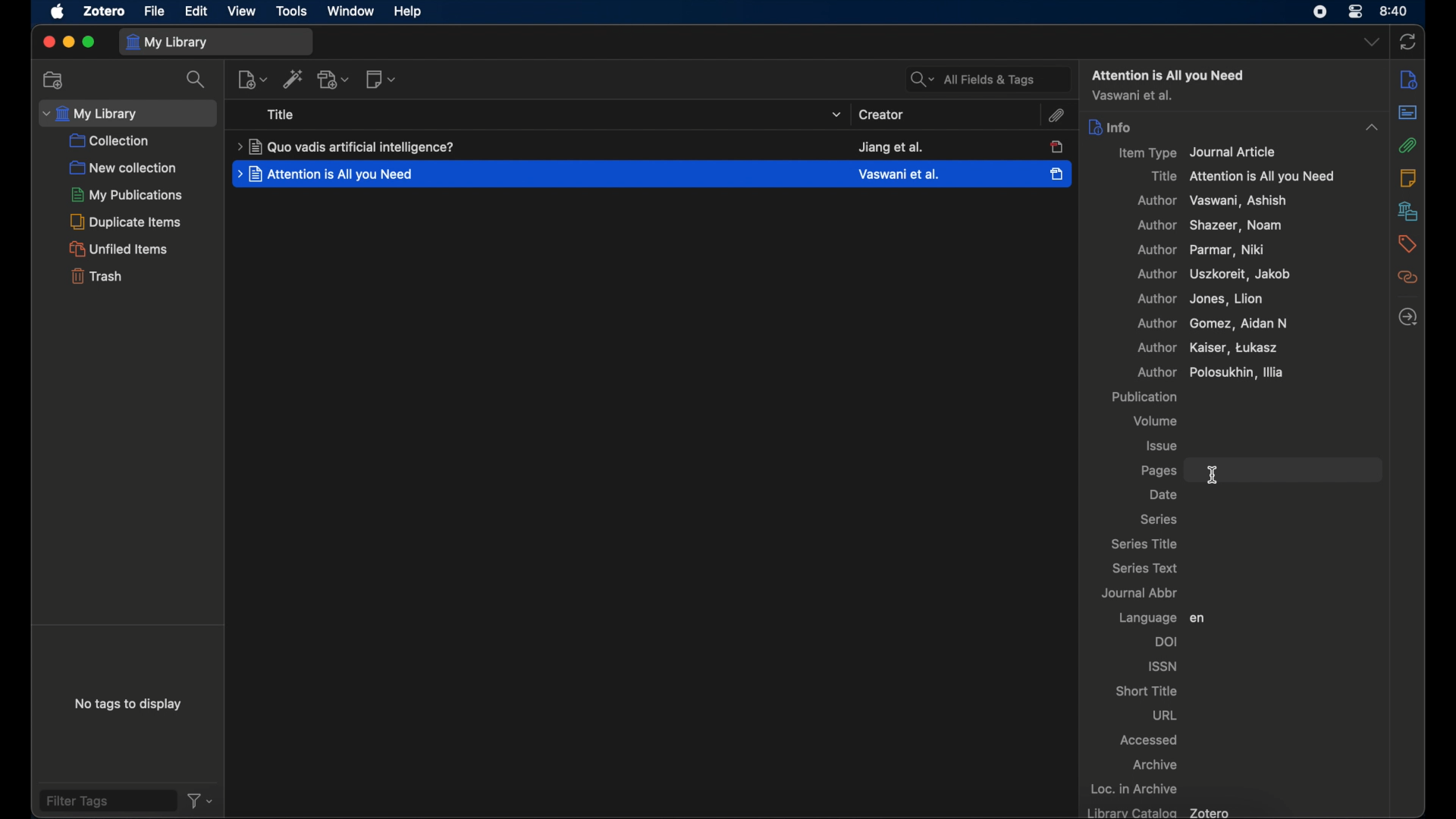 The image size is (1456, 819). Describe the element at coordinates (130, 704) in the screenshot. I see `no tags to display` at that location.